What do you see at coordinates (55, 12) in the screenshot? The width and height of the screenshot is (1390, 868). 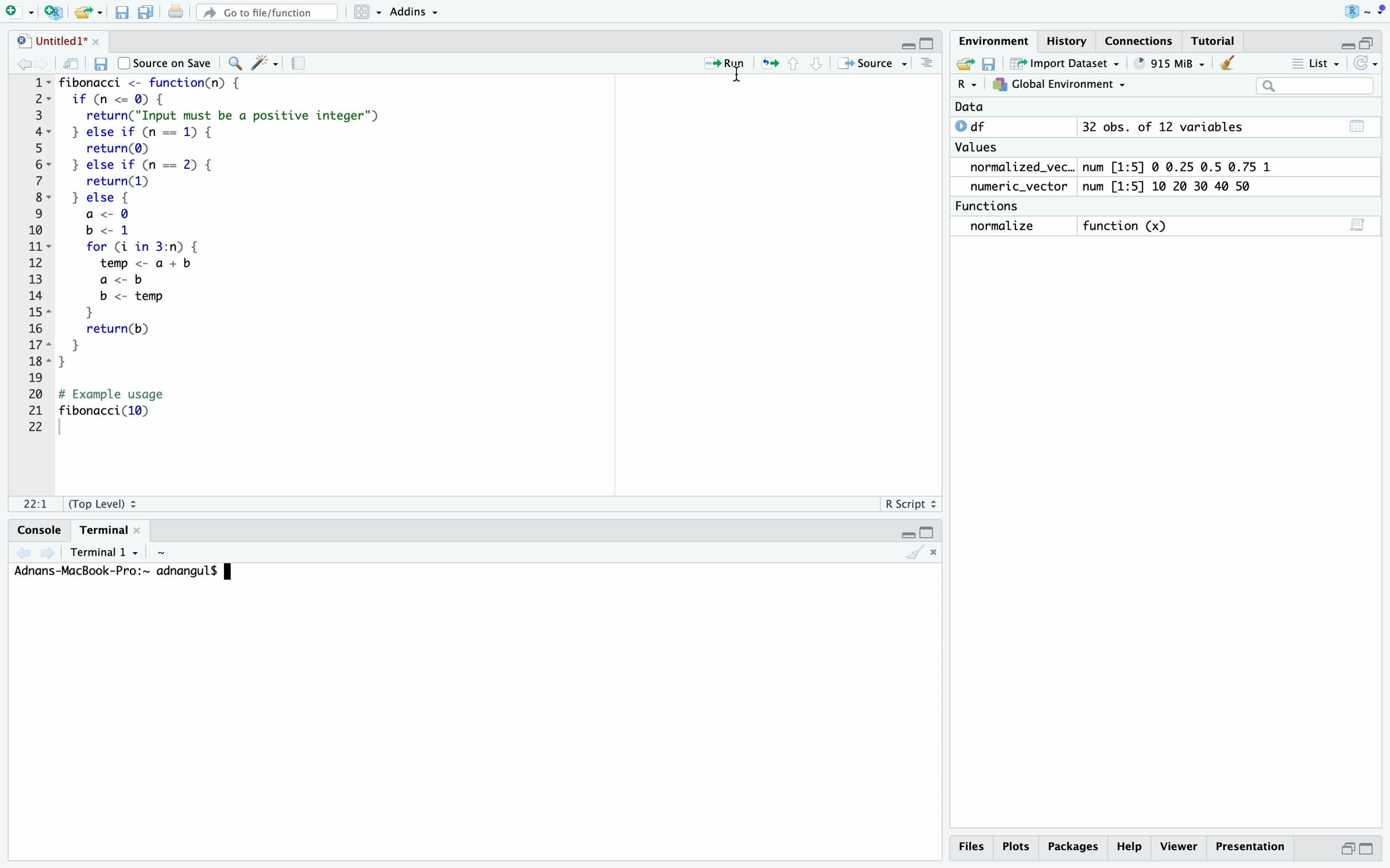 I see `create a project` at bounding box center [55, 12].